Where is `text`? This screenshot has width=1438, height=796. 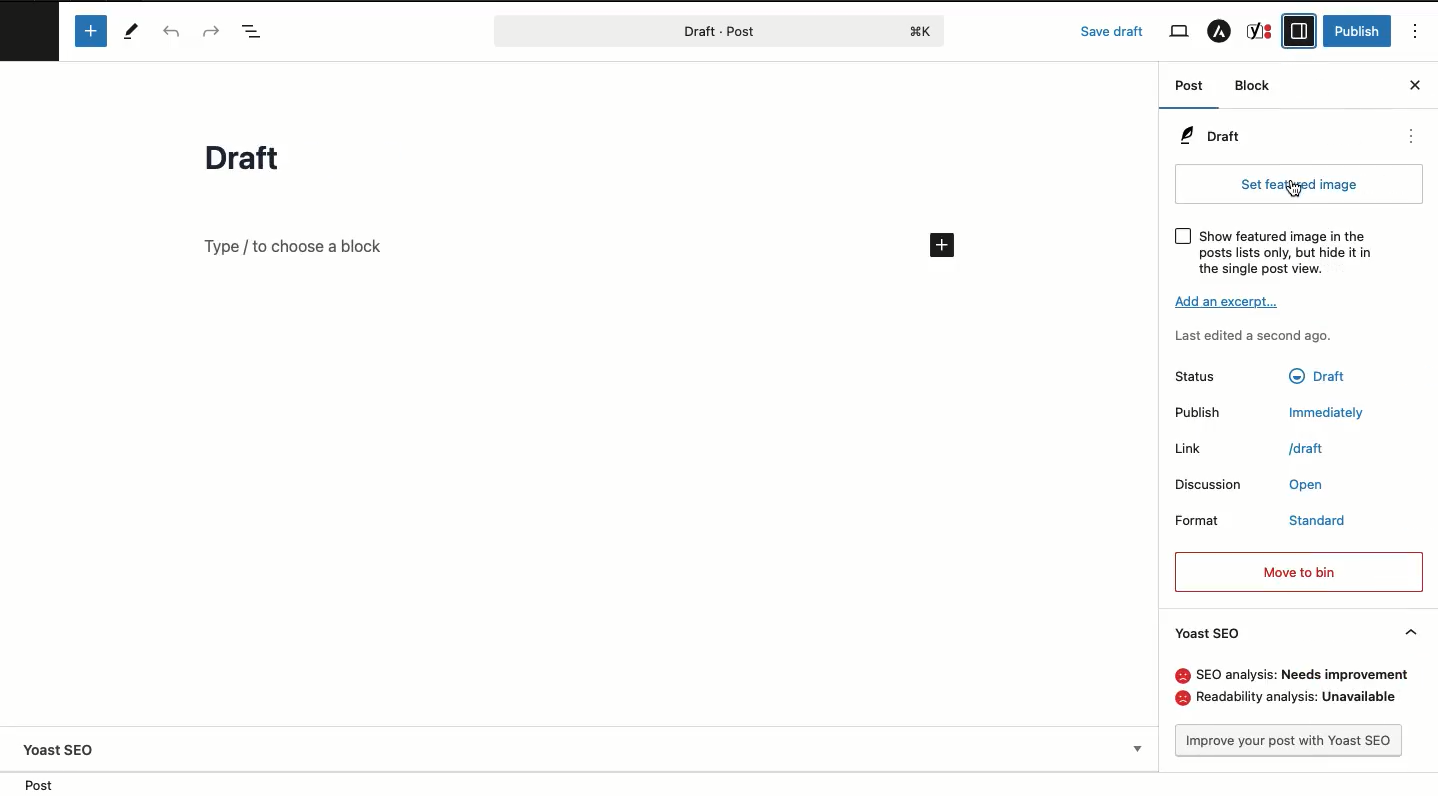
text is located at coordinates (1317, 378).